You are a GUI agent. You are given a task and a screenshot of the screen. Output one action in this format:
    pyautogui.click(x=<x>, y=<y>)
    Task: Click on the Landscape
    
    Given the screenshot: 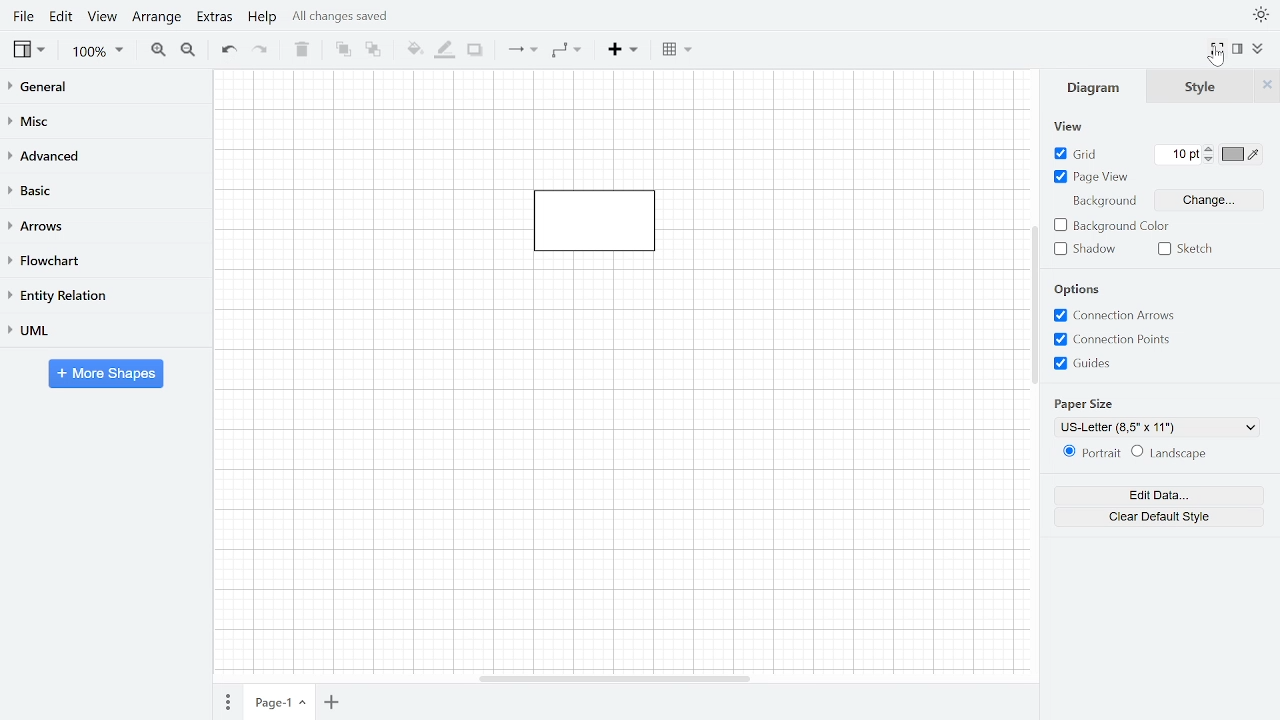 What is the action you would take?
    pyautogui.click(x=1173, y=452)
    